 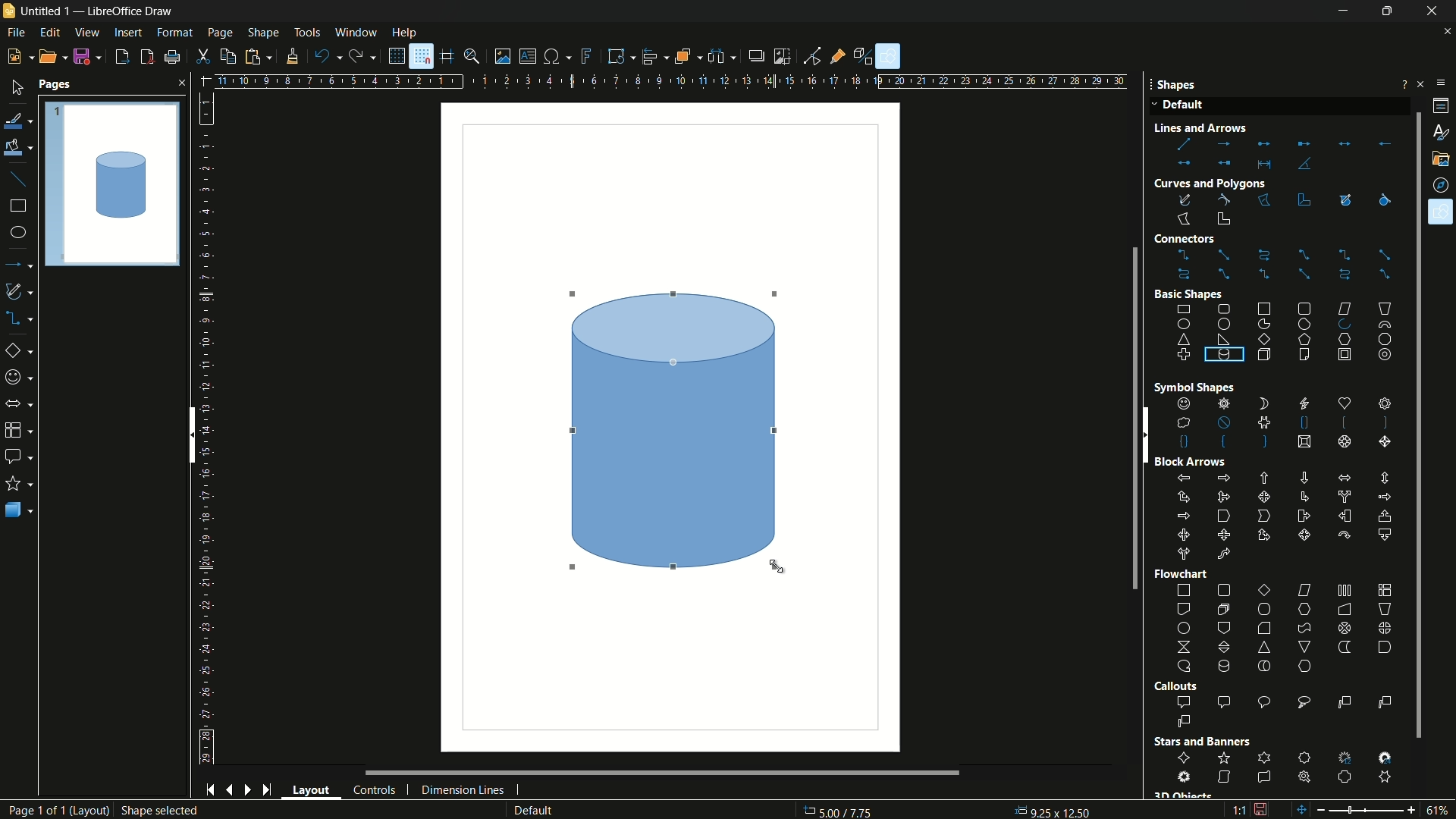 What do you see at coordinates (421, 56) in the screenshot?
I see `snap to grid` at bounding box center [421, 56].